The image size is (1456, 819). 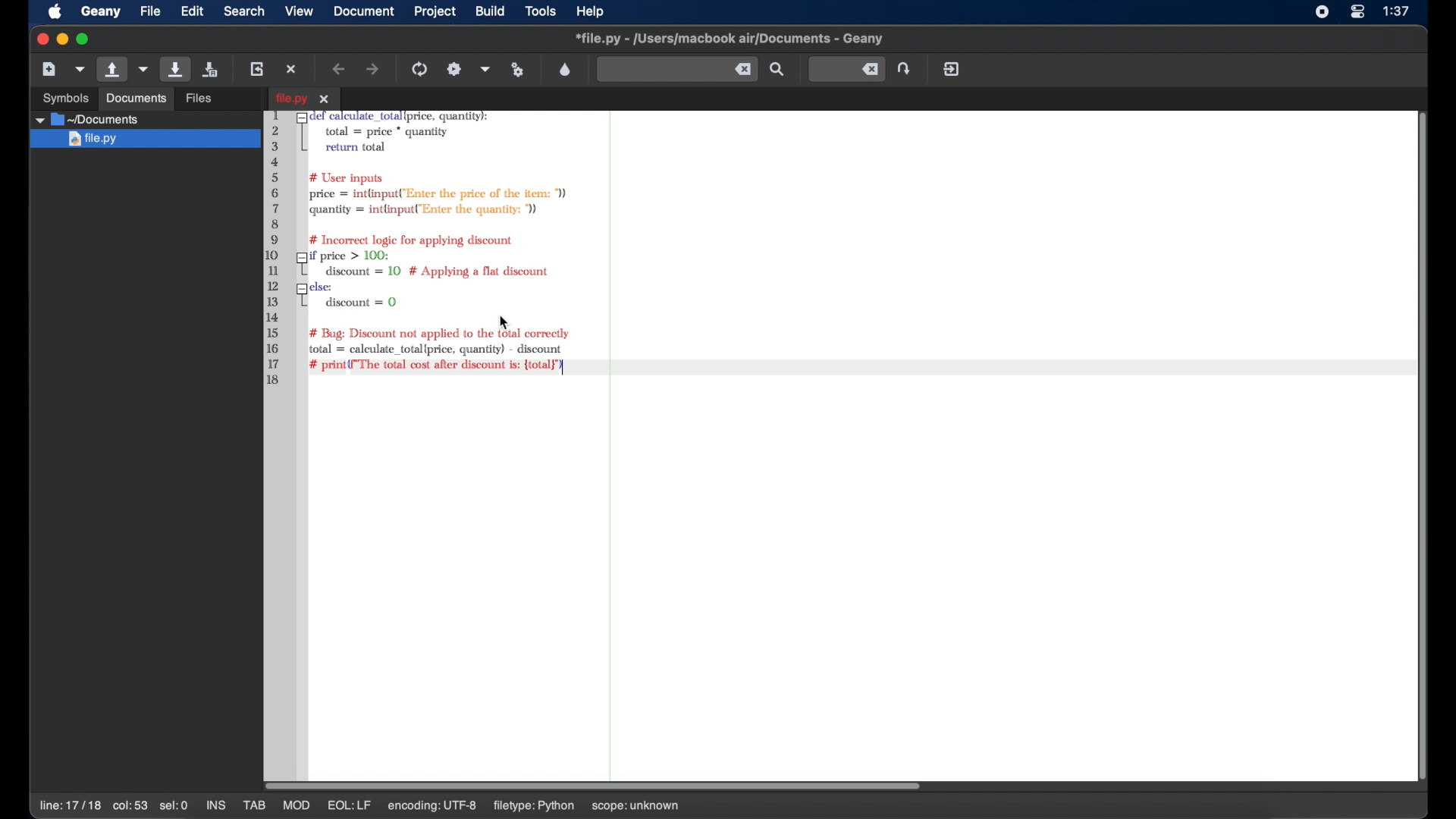 I want to click on mco, so click(x=295, y=805).